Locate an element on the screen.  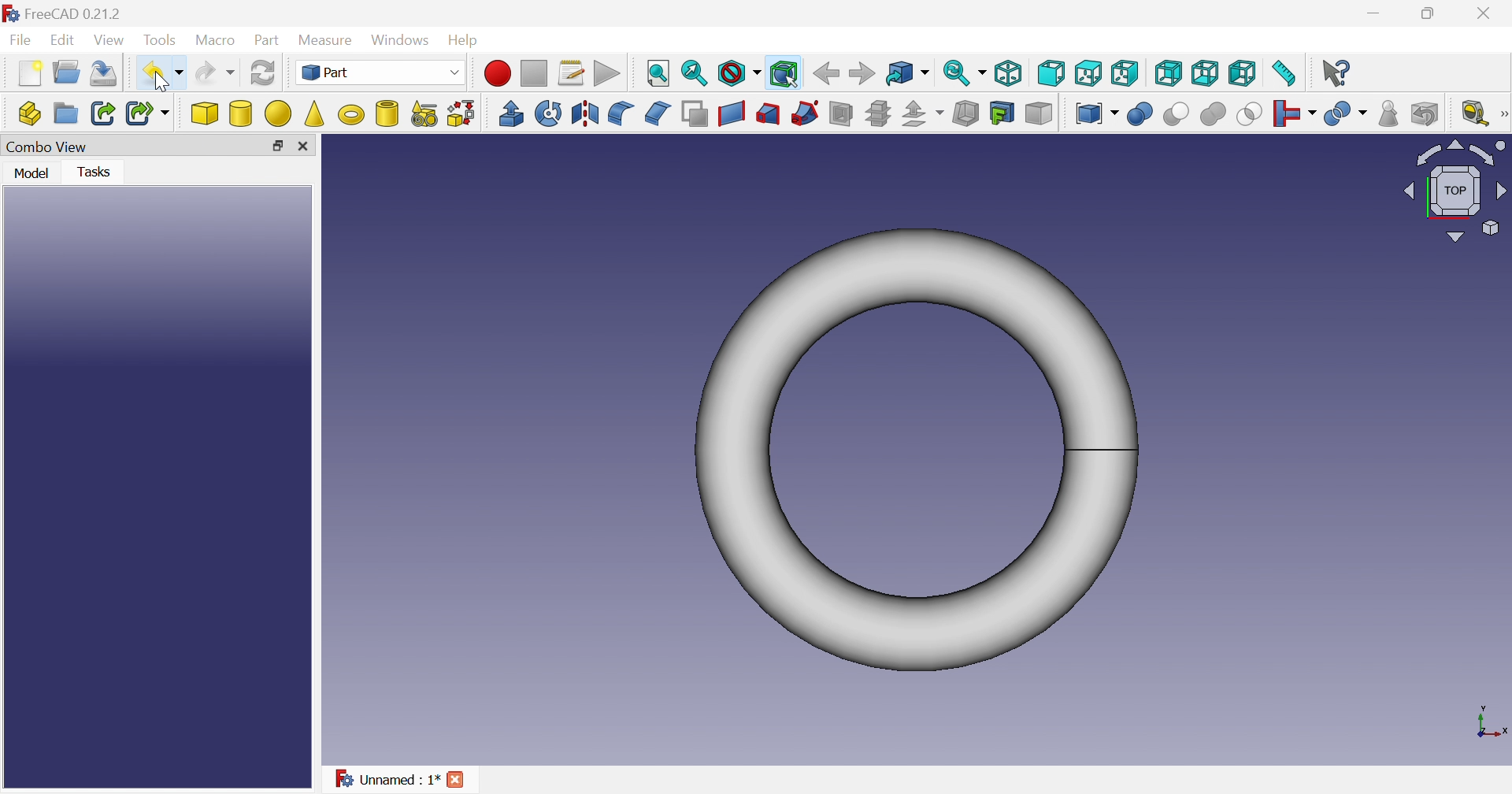
Create part is located at coordinates (28, 113).